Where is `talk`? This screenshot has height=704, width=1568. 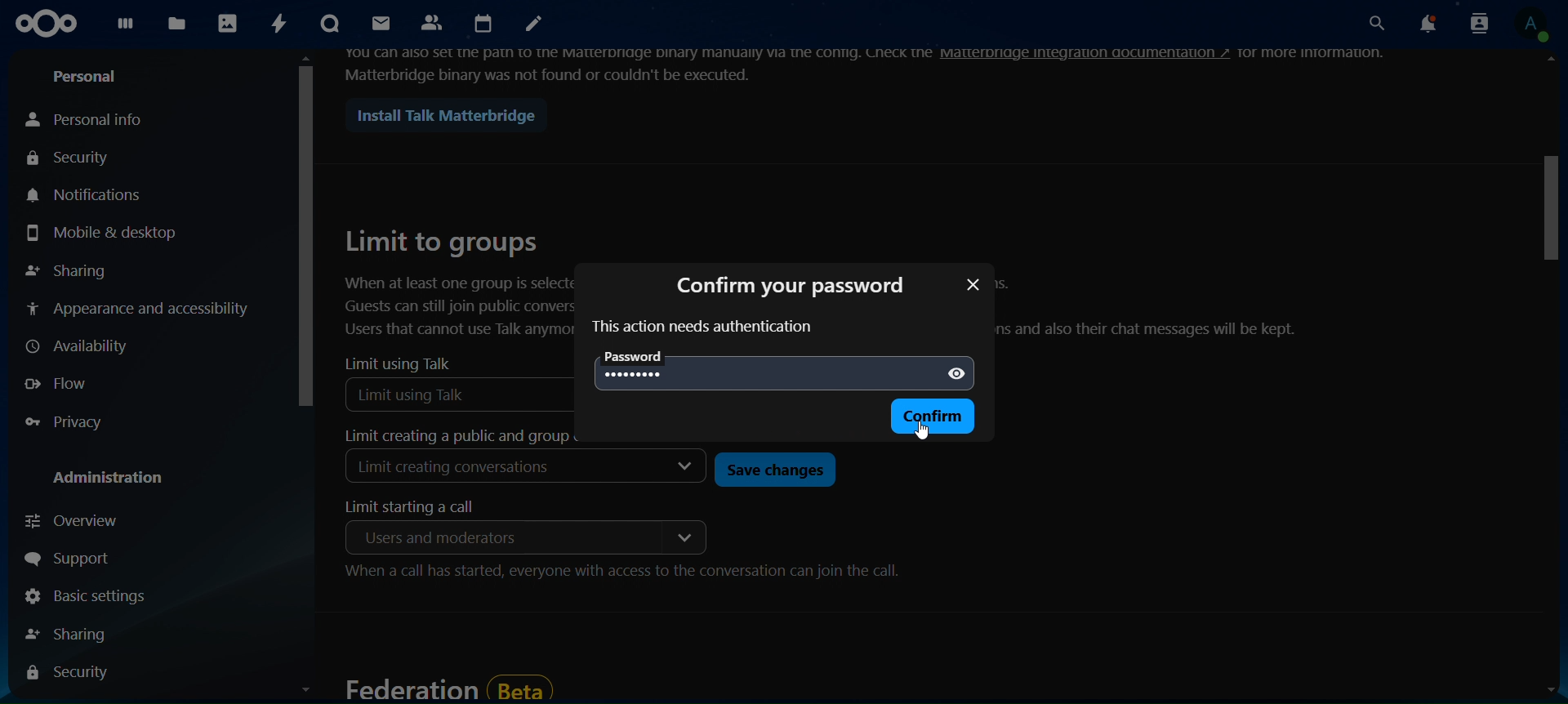
talk is located at coordinates (327, 25).